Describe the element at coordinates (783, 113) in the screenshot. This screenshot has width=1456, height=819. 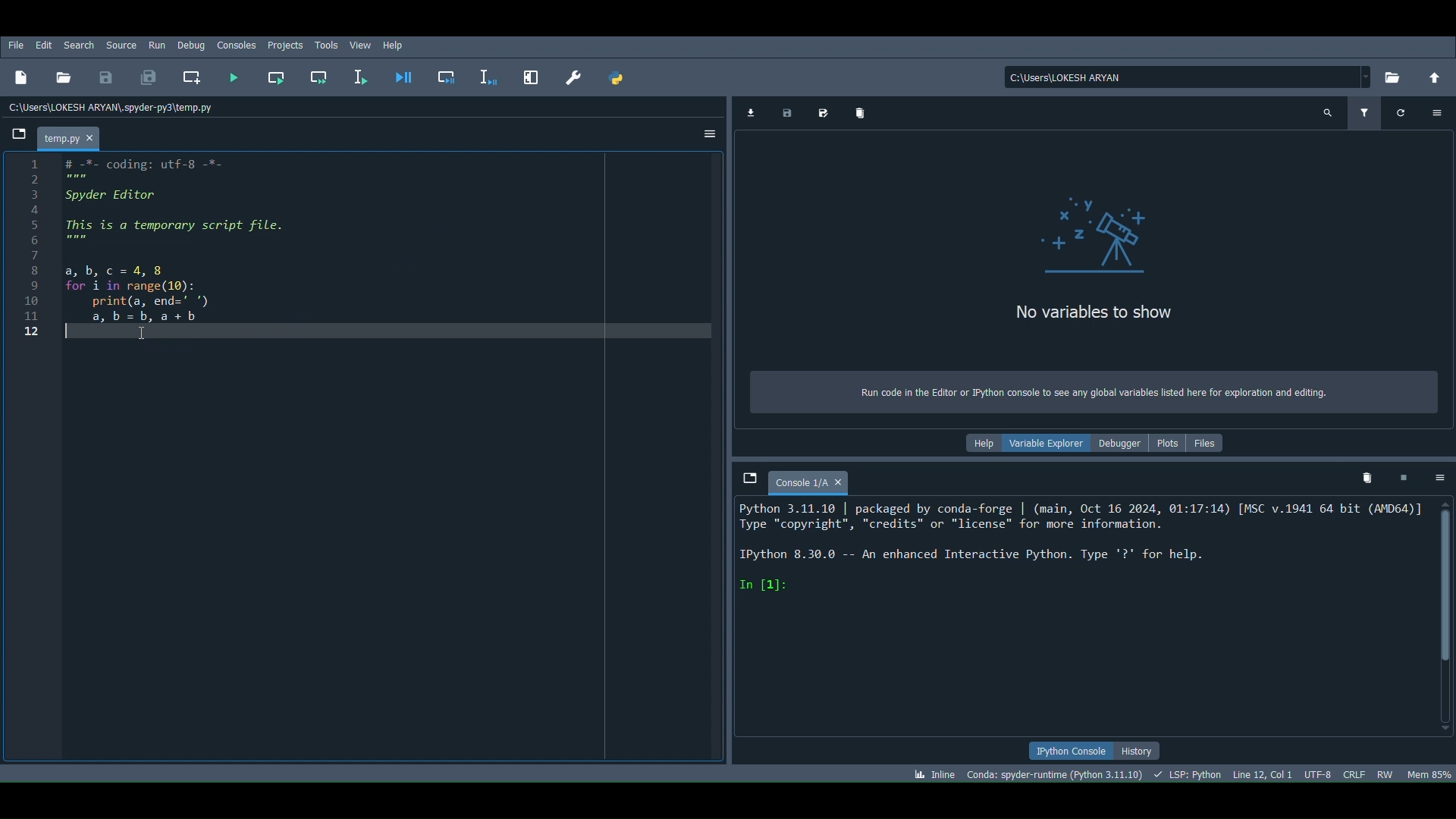
I see `Save data` at that location.